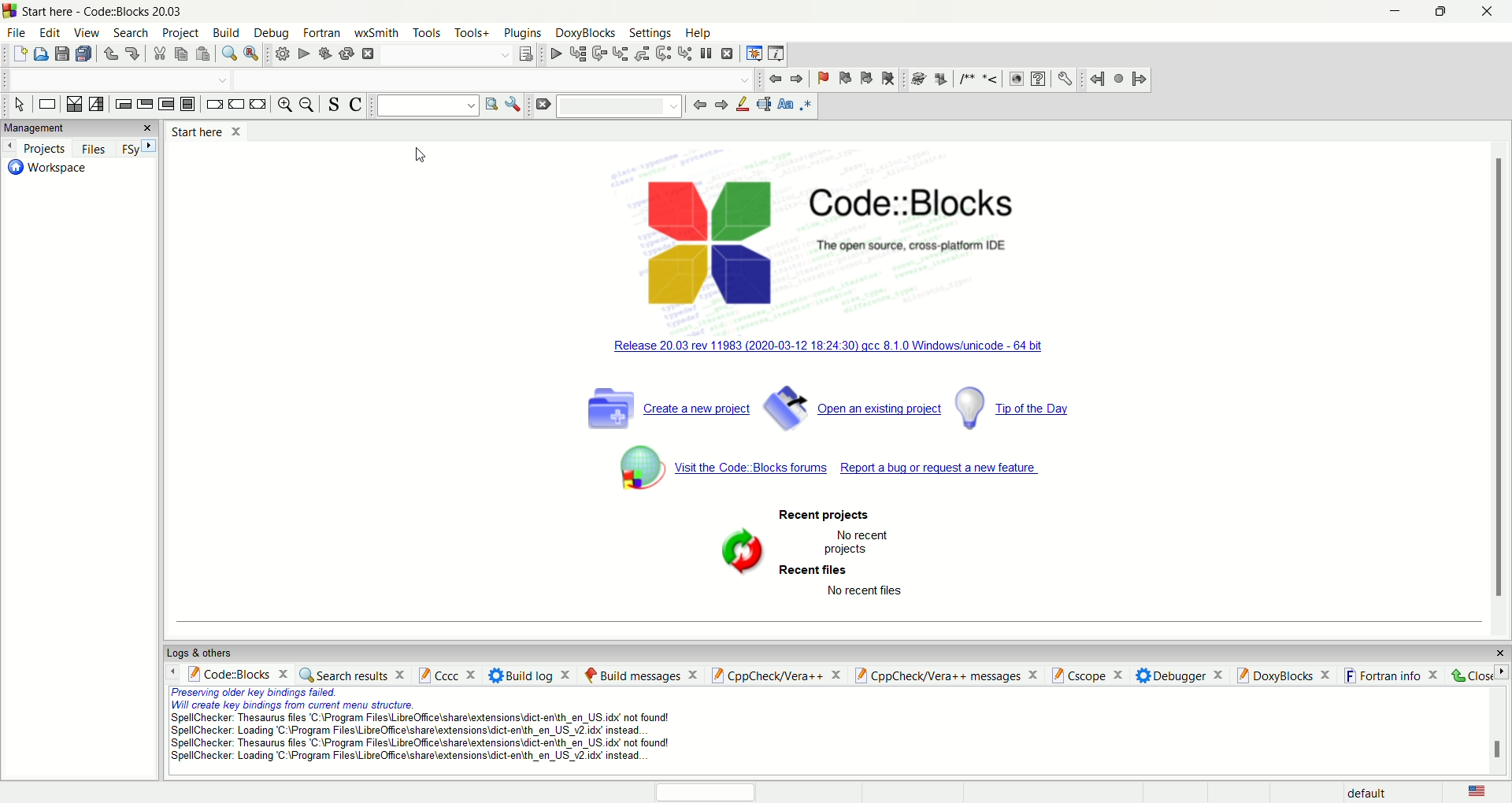 This screenshot has width=1512, height=803. I want to click on build and run, so click(346, 54).